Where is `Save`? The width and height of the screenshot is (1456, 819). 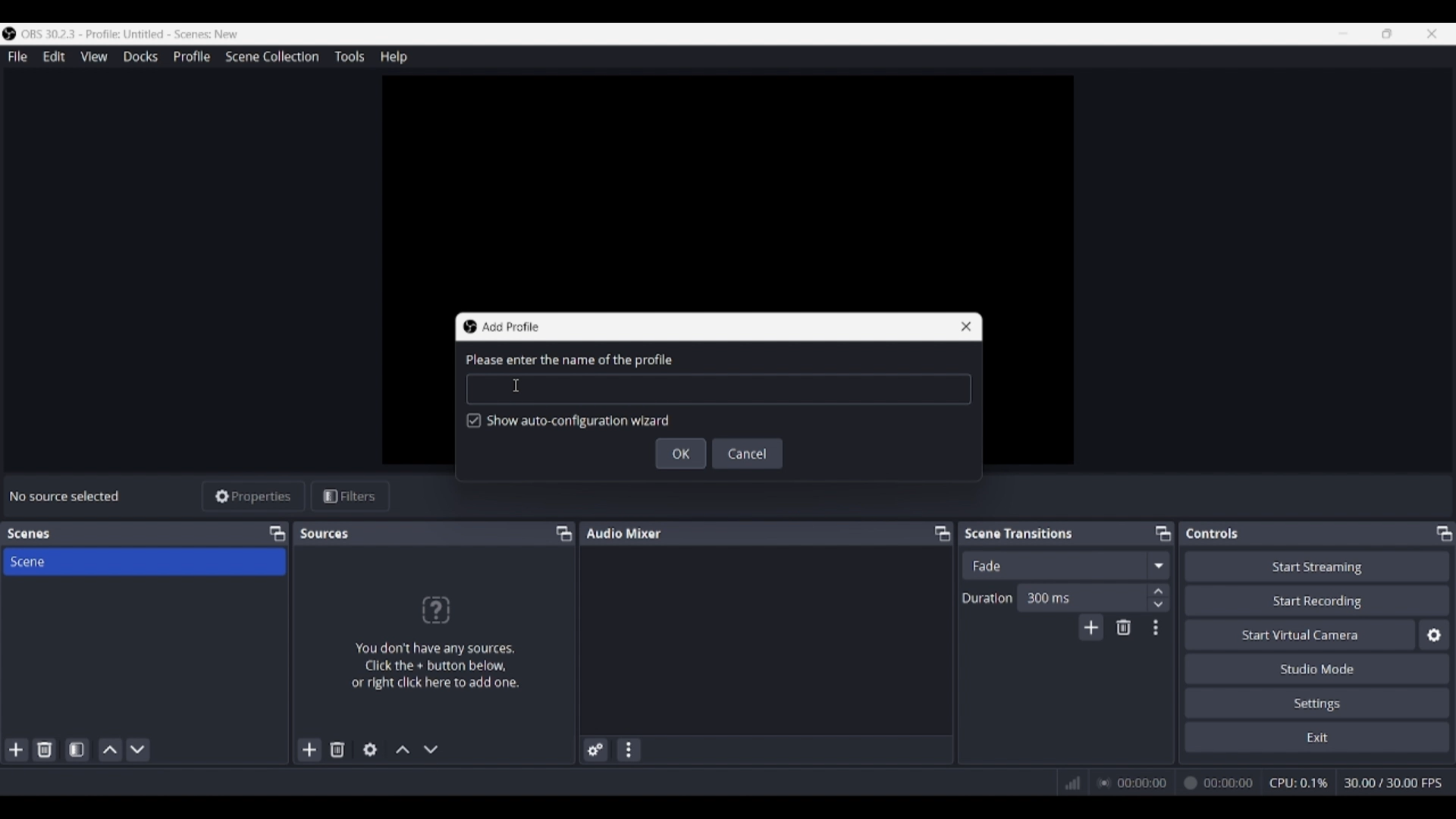 Save is located at coordinates (681, 453).